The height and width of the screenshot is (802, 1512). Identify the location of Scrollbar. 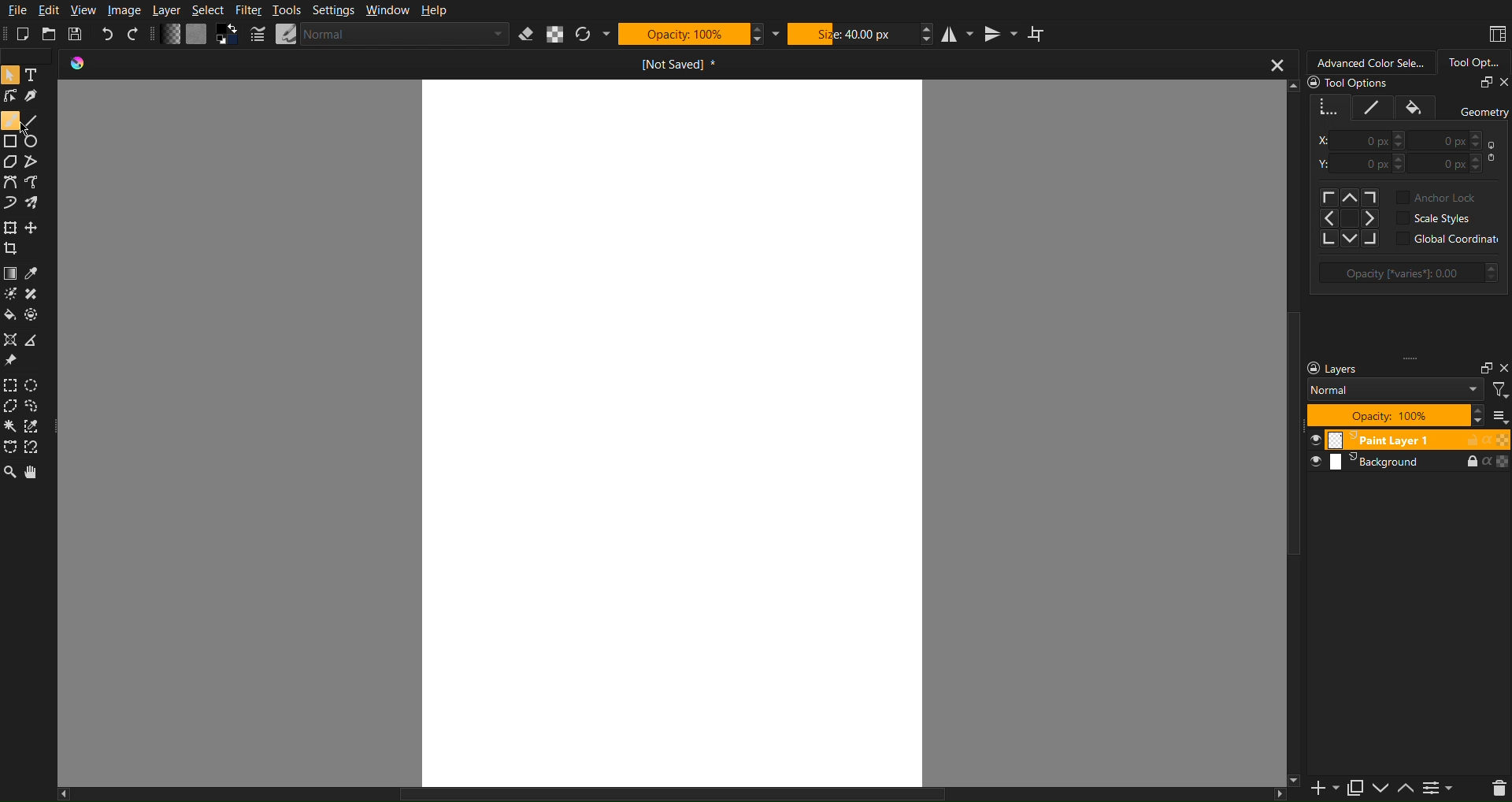
(1289, 434).